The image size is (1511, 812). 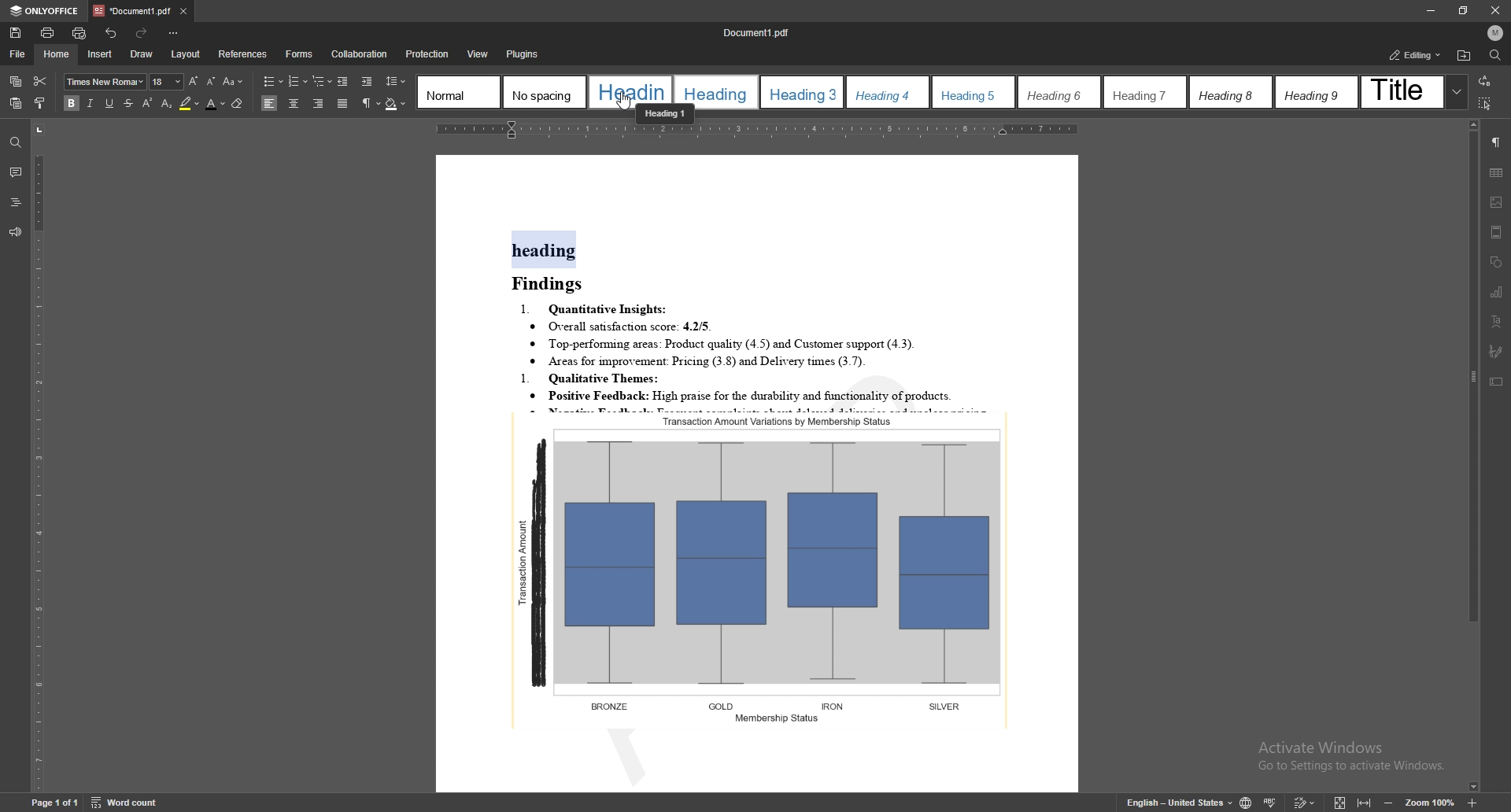 I want to click on non printing characters, so click(x=371, y=104).